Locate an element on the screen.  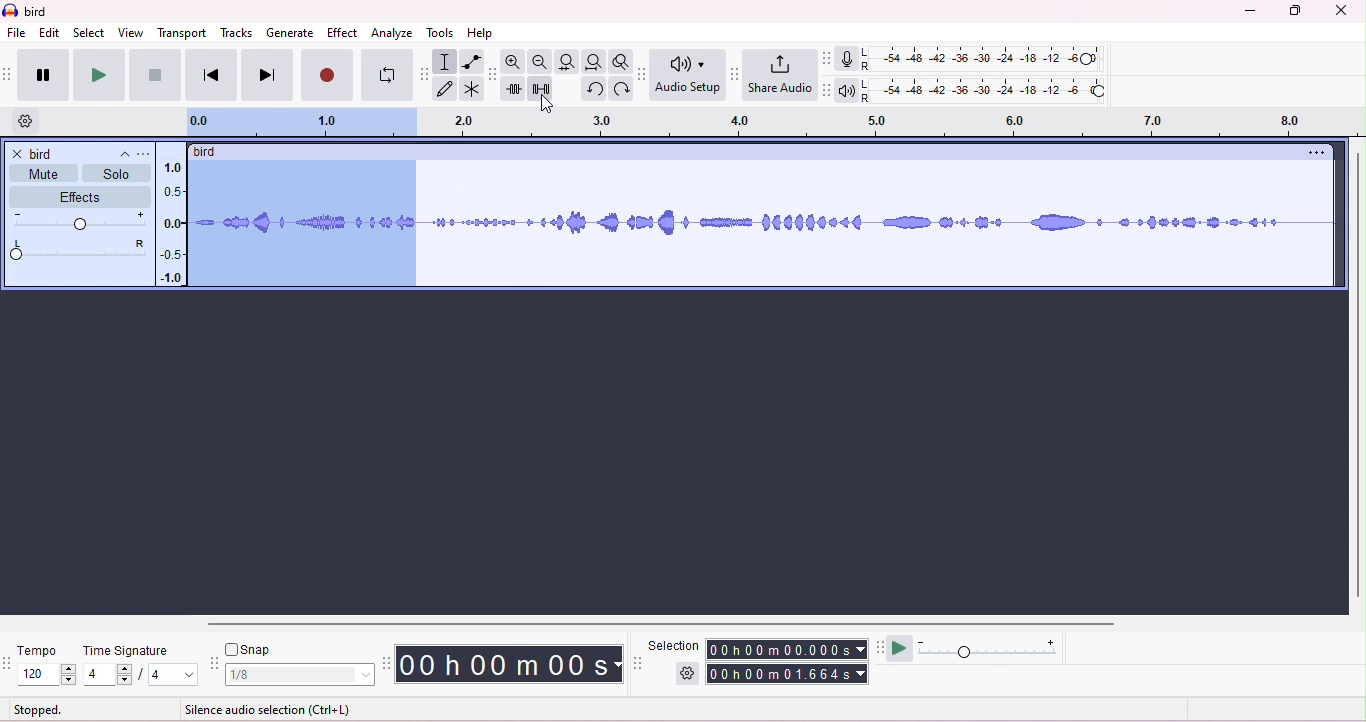
edit is located at coordinates (50, 33).